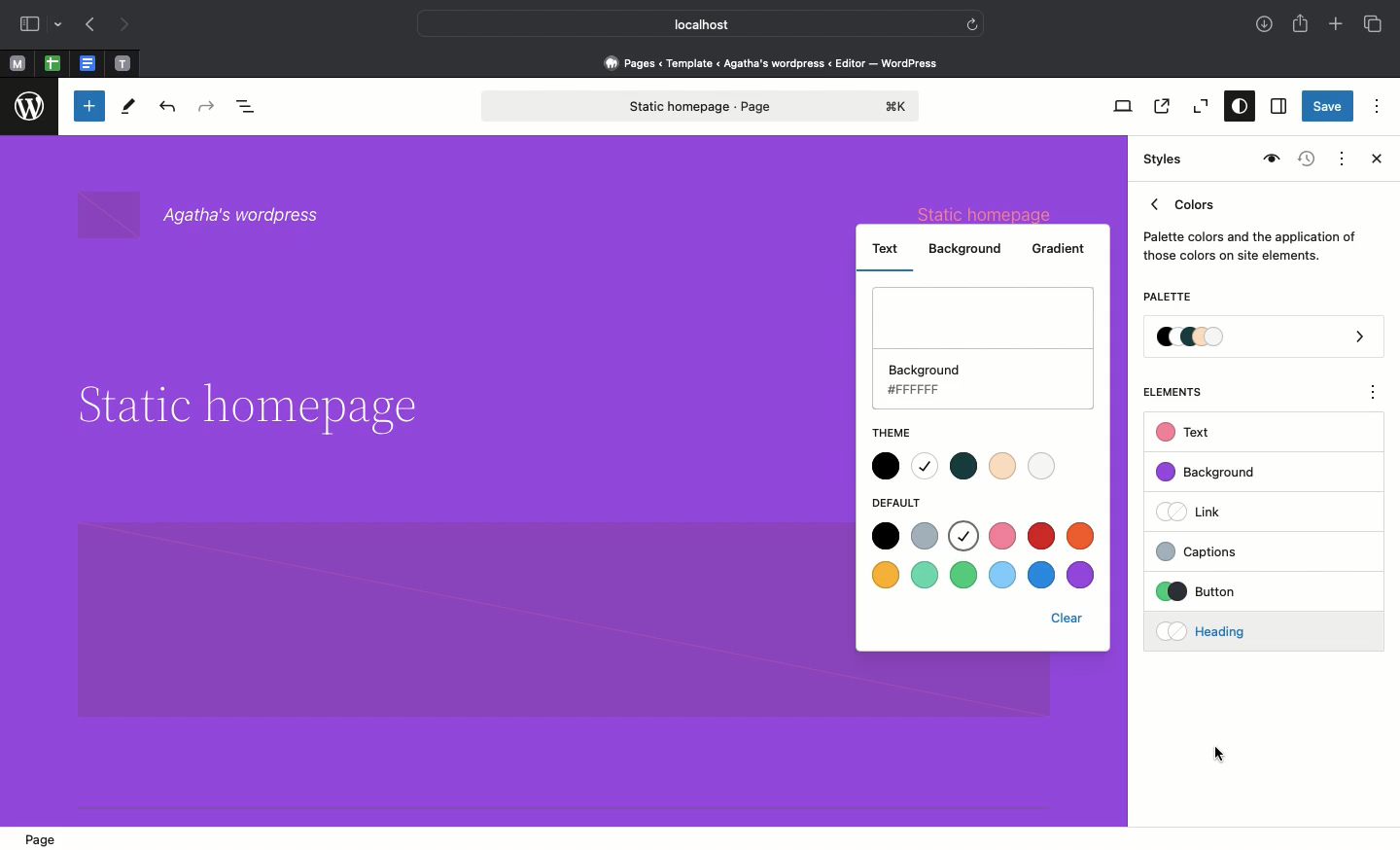 This screenshot has height=850, width=1400. Describe the element at coordinates (1197, 511) in the screenshot. I see `Link` at that location.